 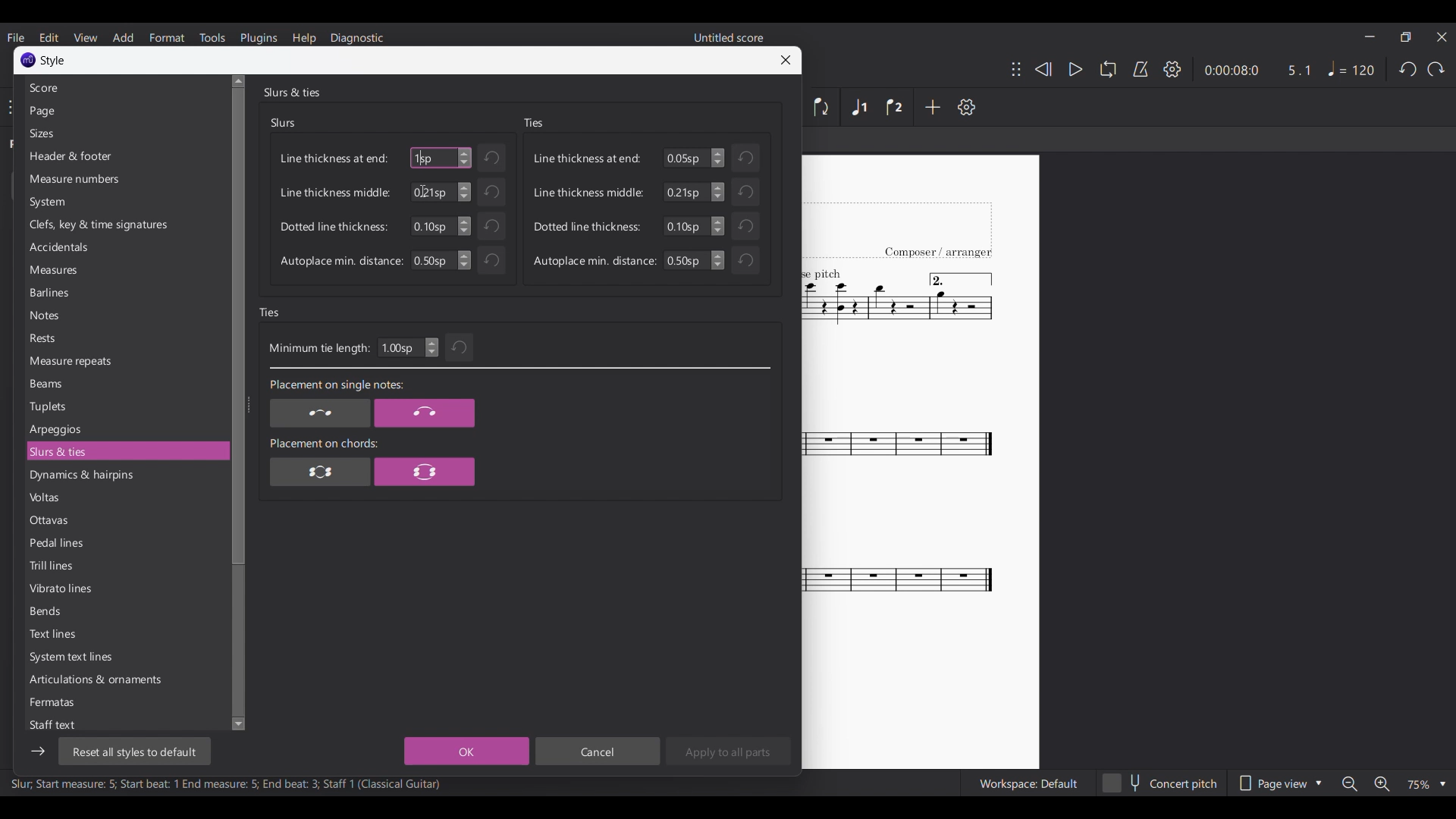 What do you see at coordinates (464, 192) in the screenshot?
I see `Increase/Decrease line thickness middle` at bounding box center [464, 192].